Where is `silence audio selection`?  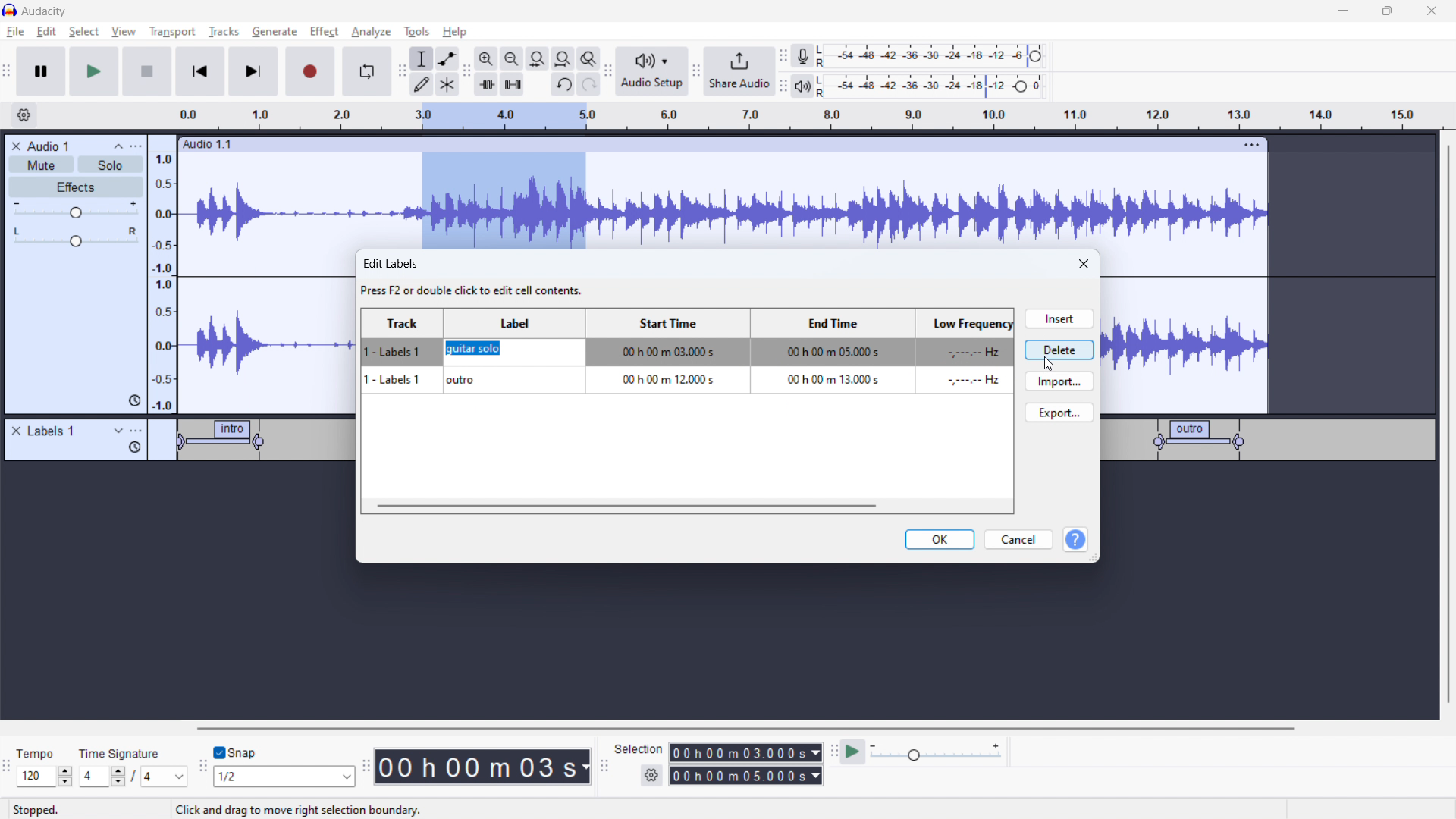 silence audio selection is located at coordinates (513, 84).